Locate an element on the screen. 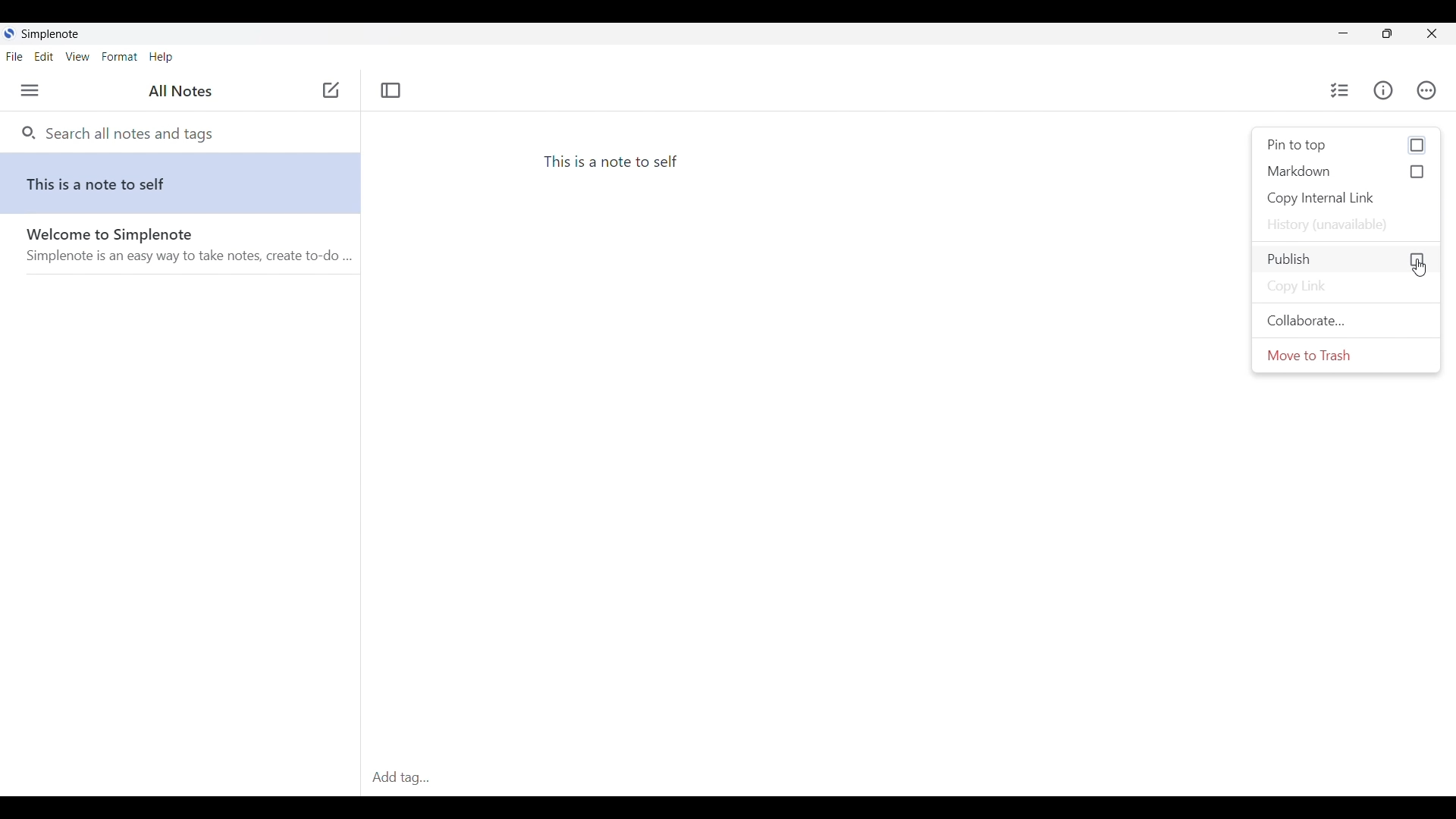 Image resolution: width=1456 pixels, height=819 pixels. Close interface is located at coordinates (1431, 33).